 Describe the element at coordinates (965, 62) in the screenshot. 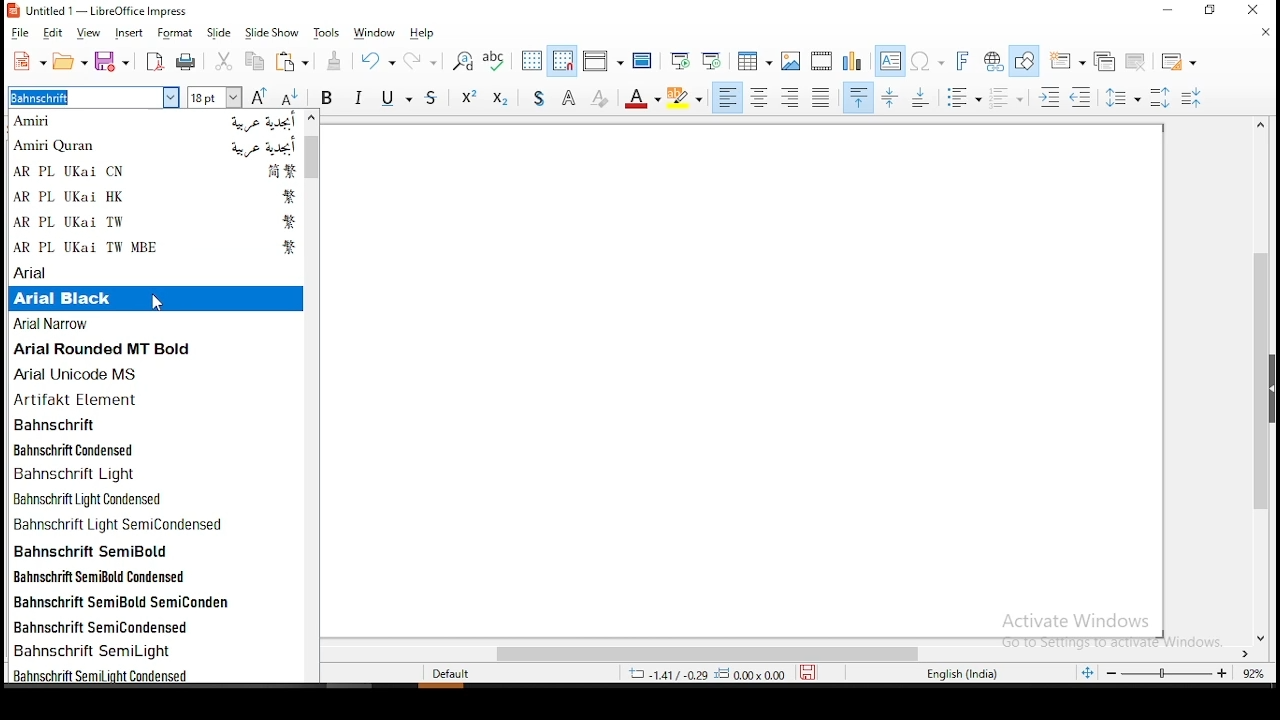

I see `insert font work text` at that location.